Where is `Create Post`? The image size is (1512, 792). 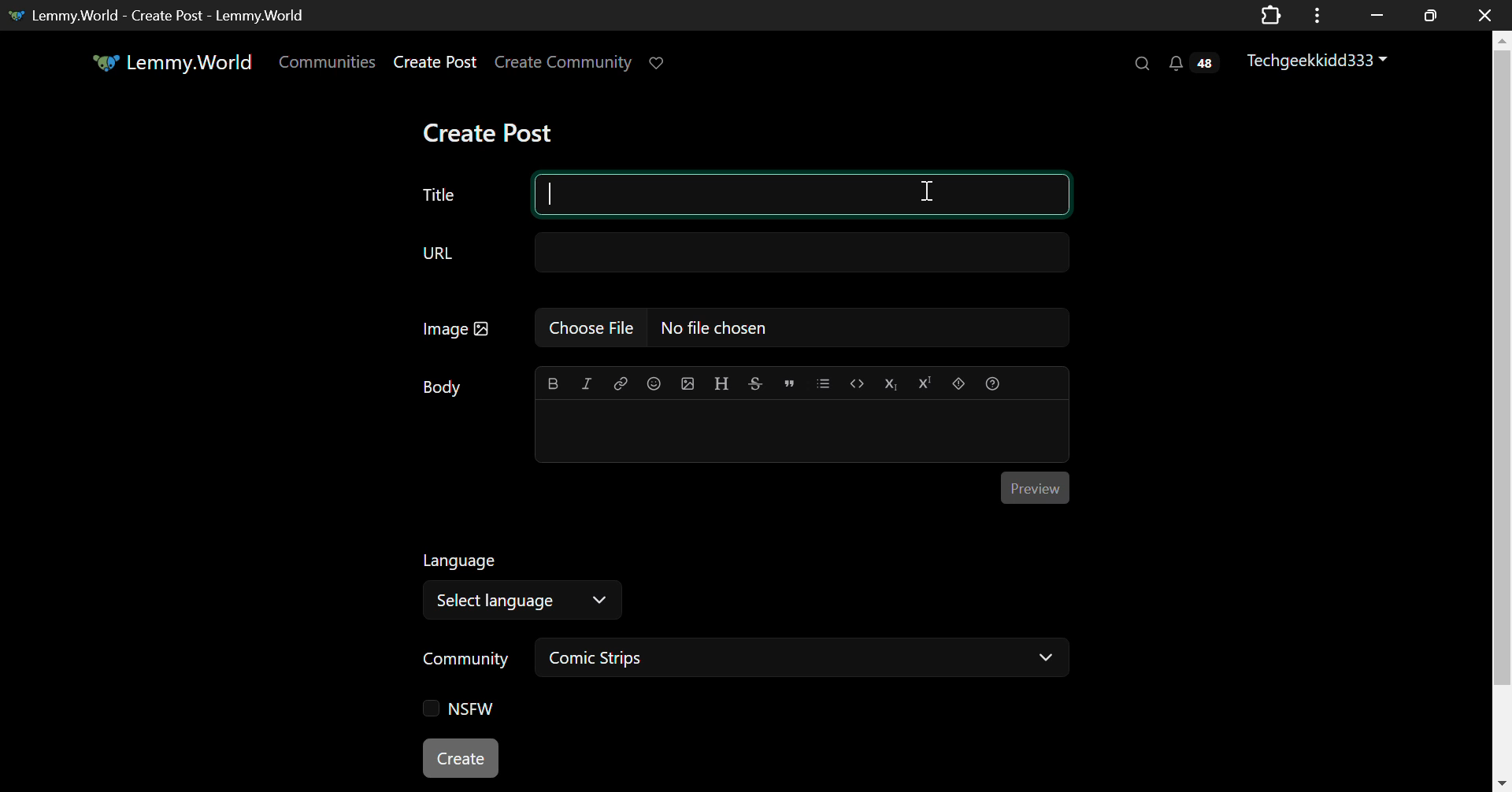
Create Post is located at coordinates (436, 65).